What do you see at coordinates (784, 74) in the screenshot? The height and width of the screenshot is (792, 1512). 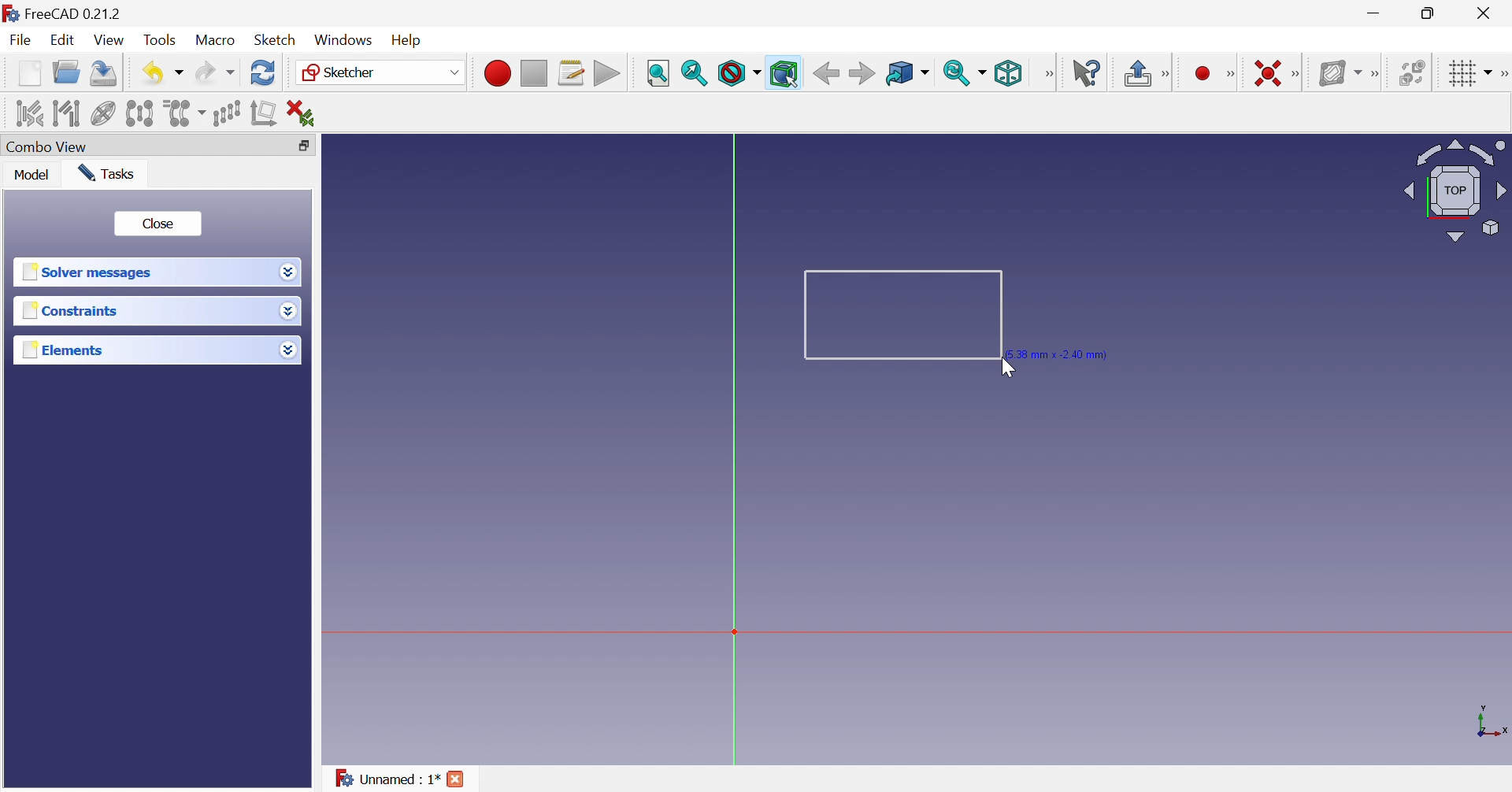 I see `Bounding box` at bounding box center [784, 74].